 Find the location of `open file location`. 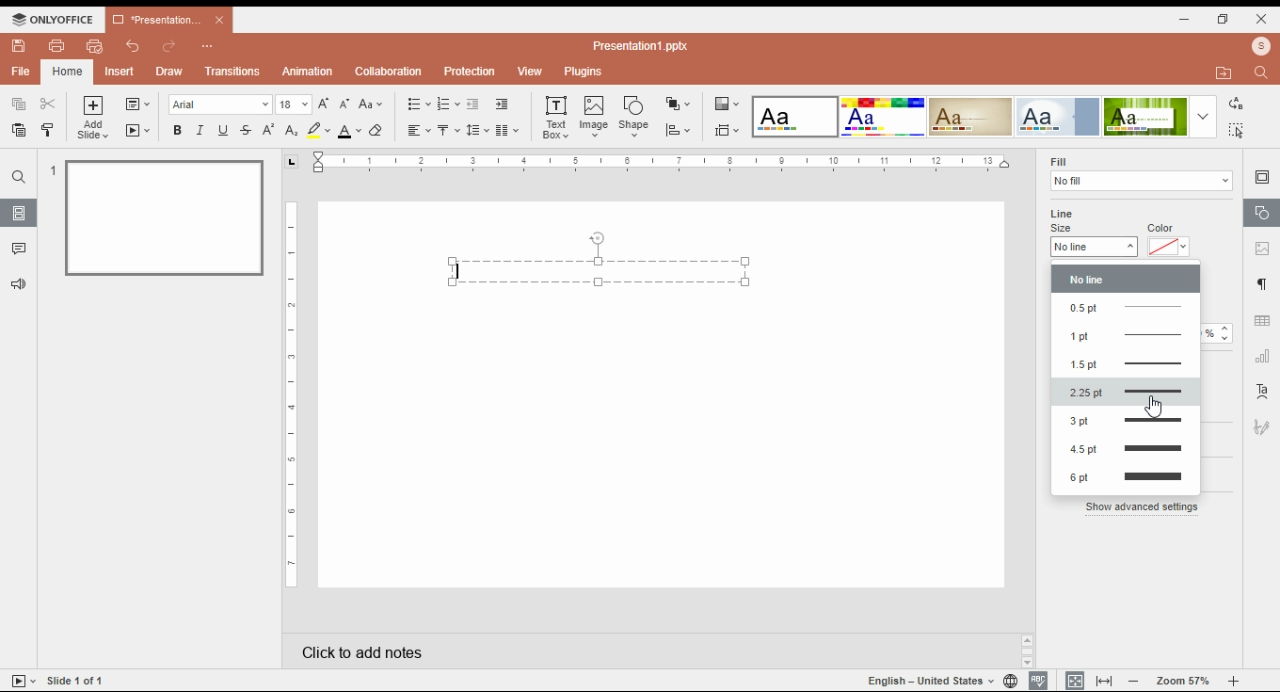

open file location is located at coordinates (1227, 72).